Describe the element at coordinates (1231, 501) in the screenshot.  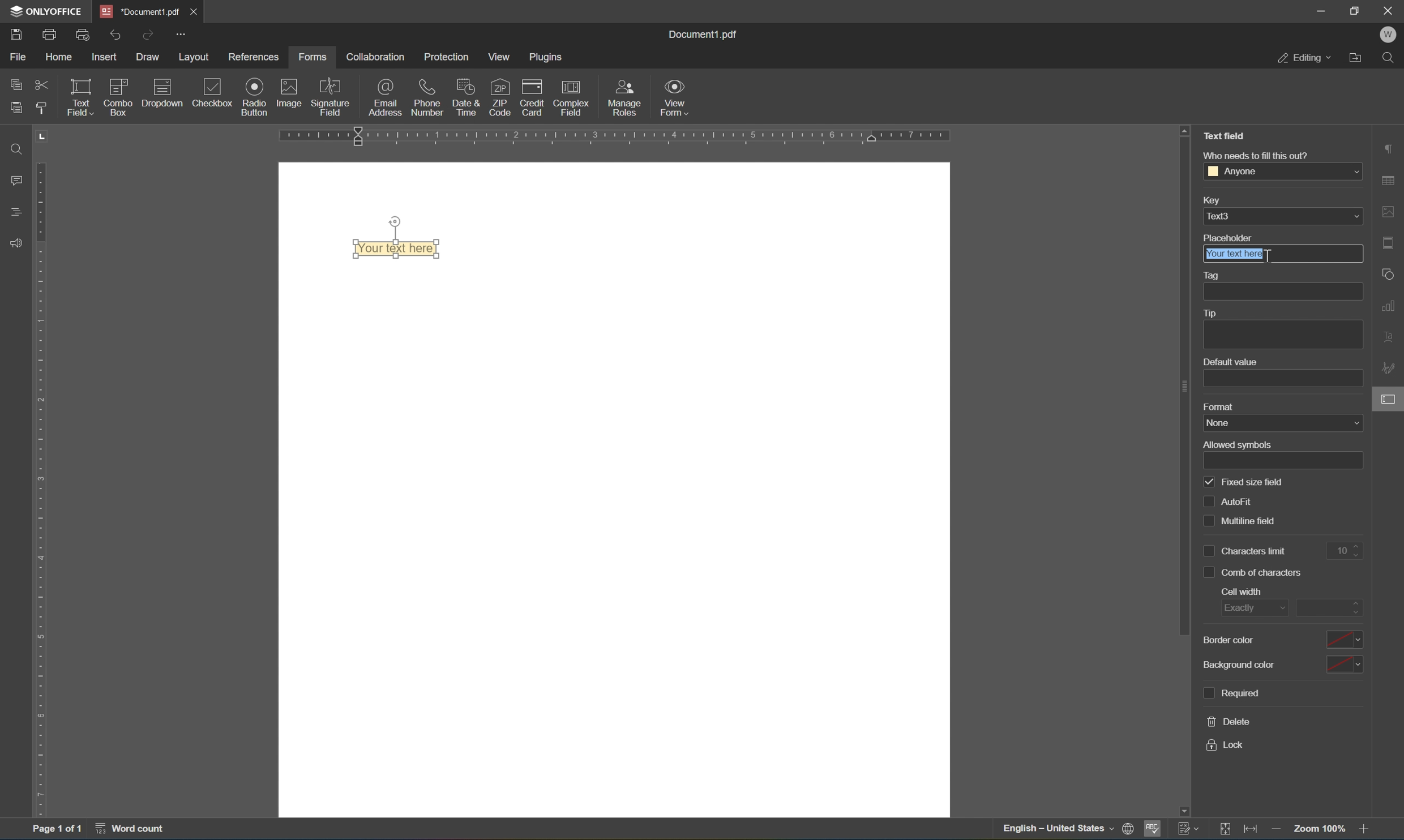
I see `auto fill` at that location.